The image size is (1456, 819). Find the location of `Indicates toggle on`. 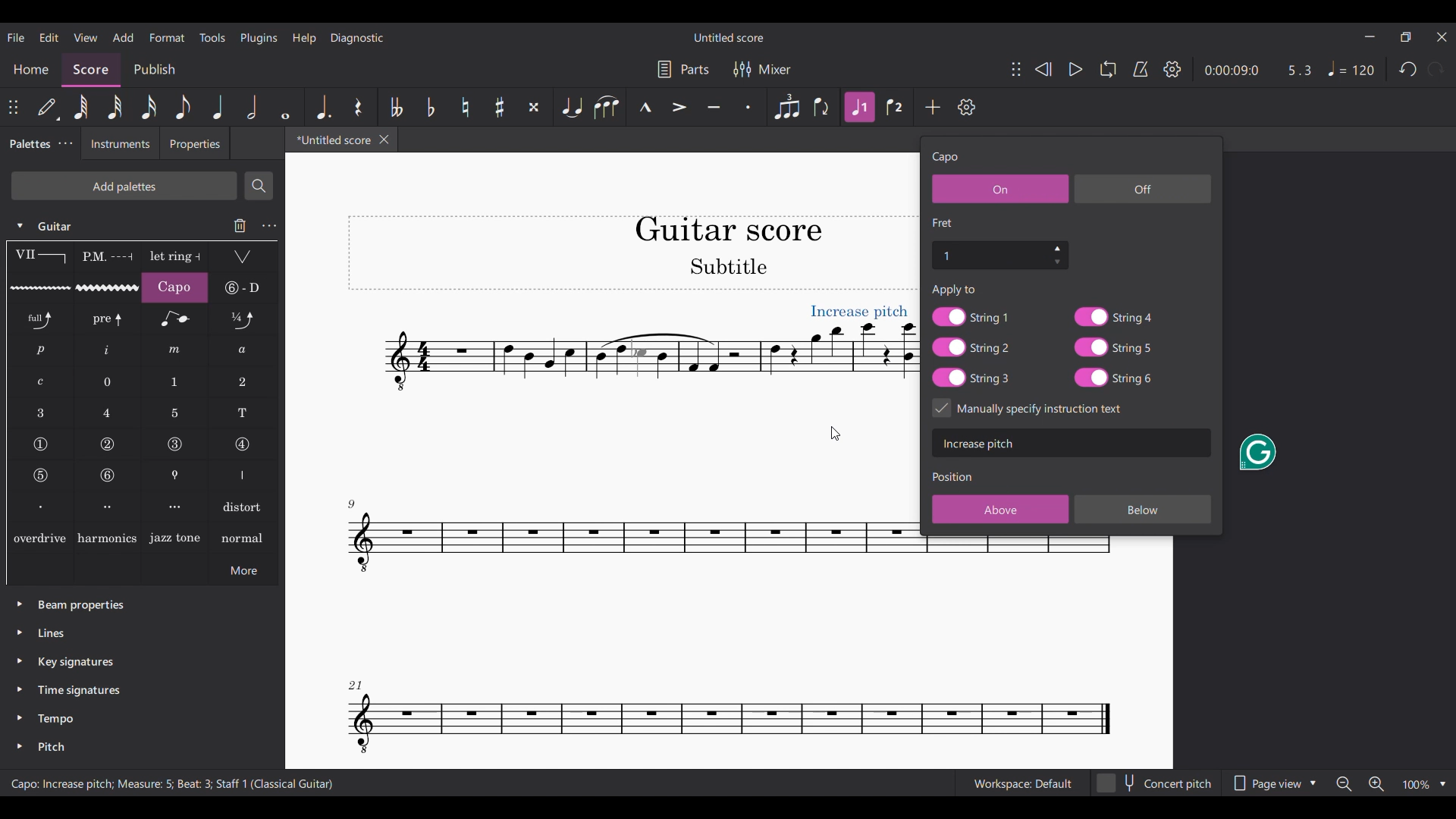

Indicates toggle on is located at coordinates (940, 407).